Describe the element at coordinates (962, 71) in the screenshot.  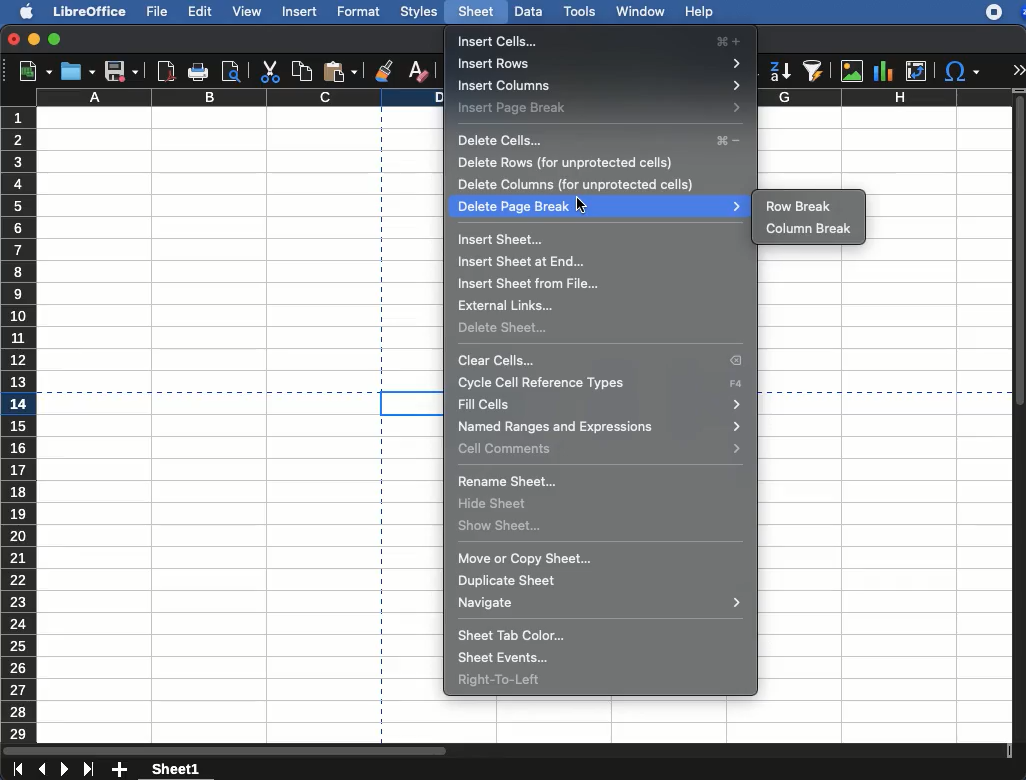
I see `special character` at that location.